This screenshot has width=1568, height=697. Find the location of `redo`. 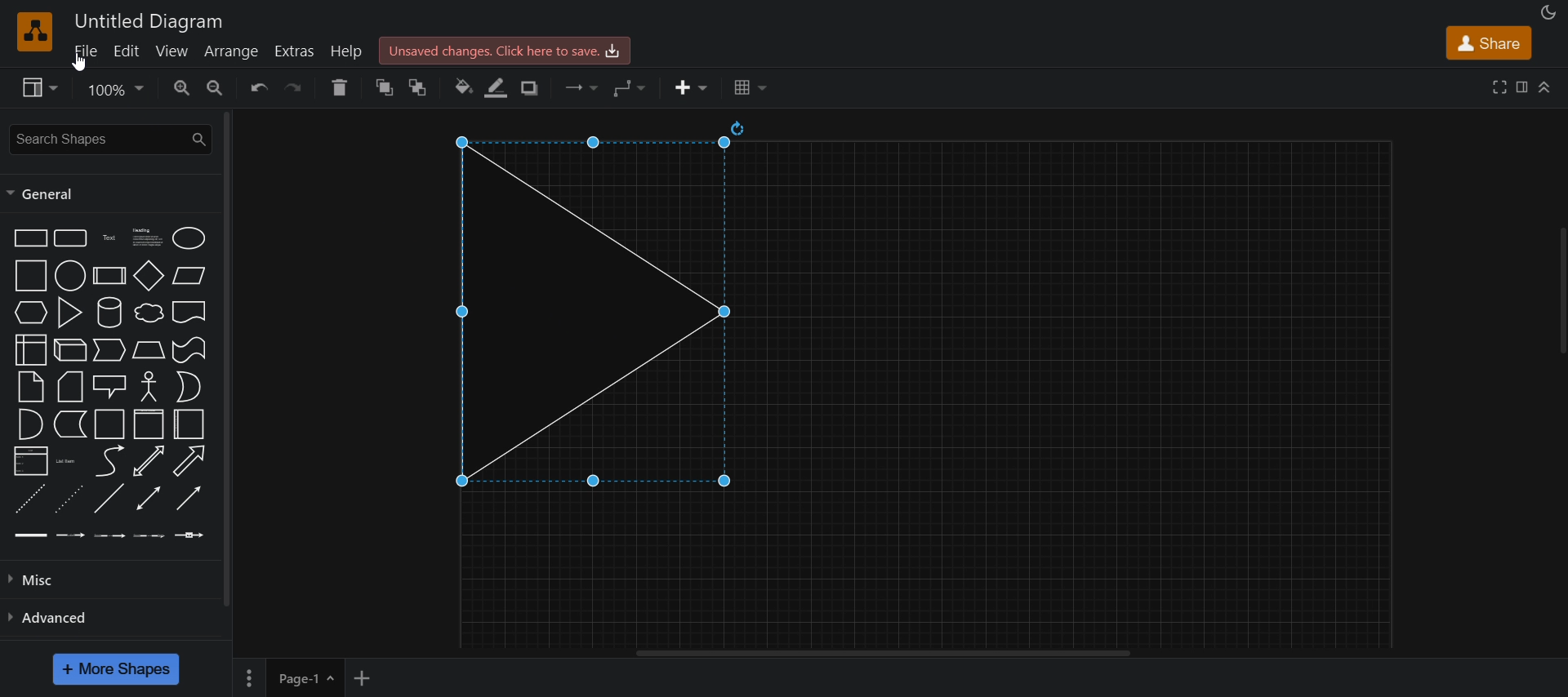

redo is located at coordinates (302, 87).